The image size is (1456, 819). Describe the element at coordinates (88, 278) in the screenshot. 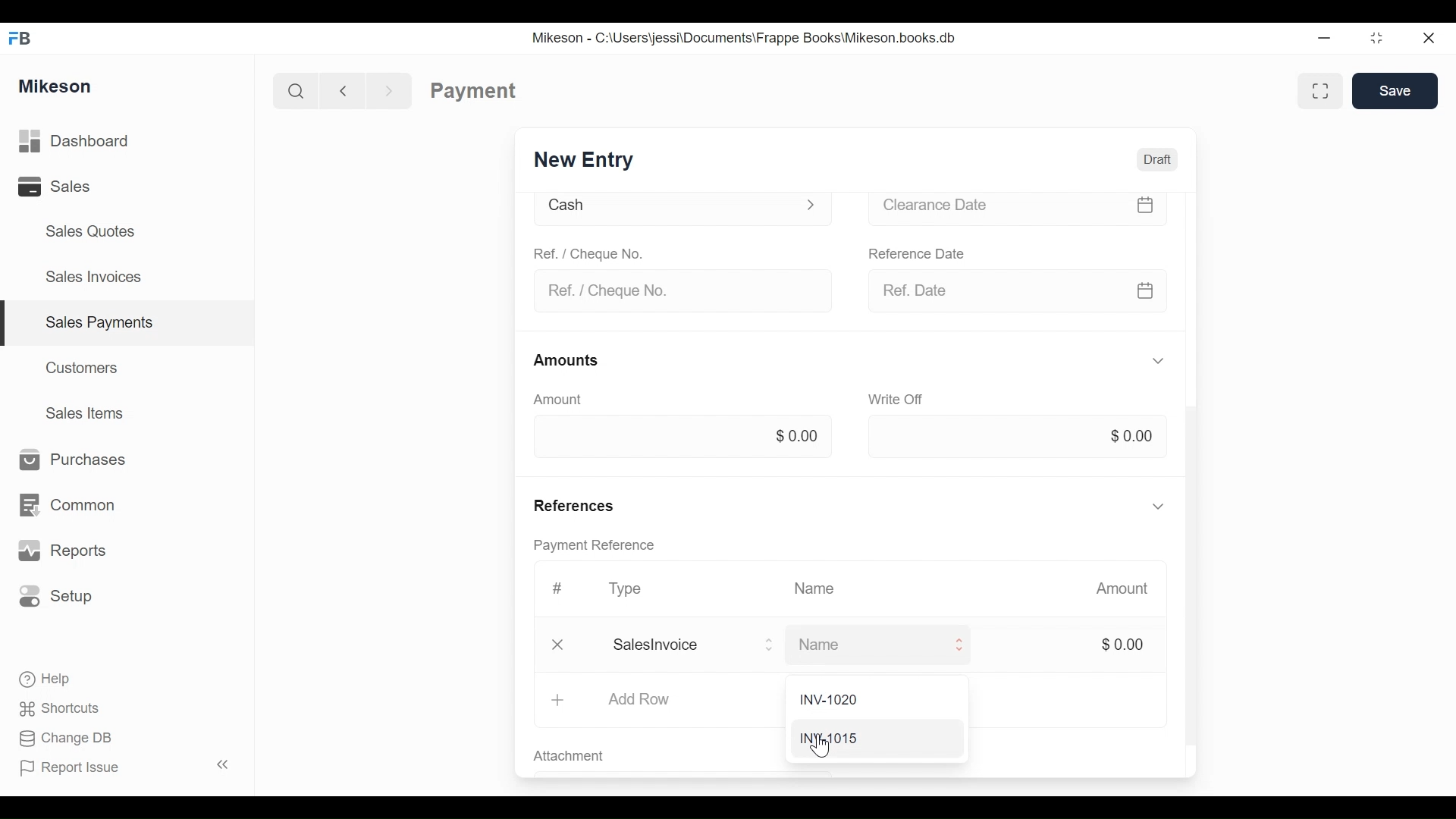

I see `Sales Invoices` at that location.